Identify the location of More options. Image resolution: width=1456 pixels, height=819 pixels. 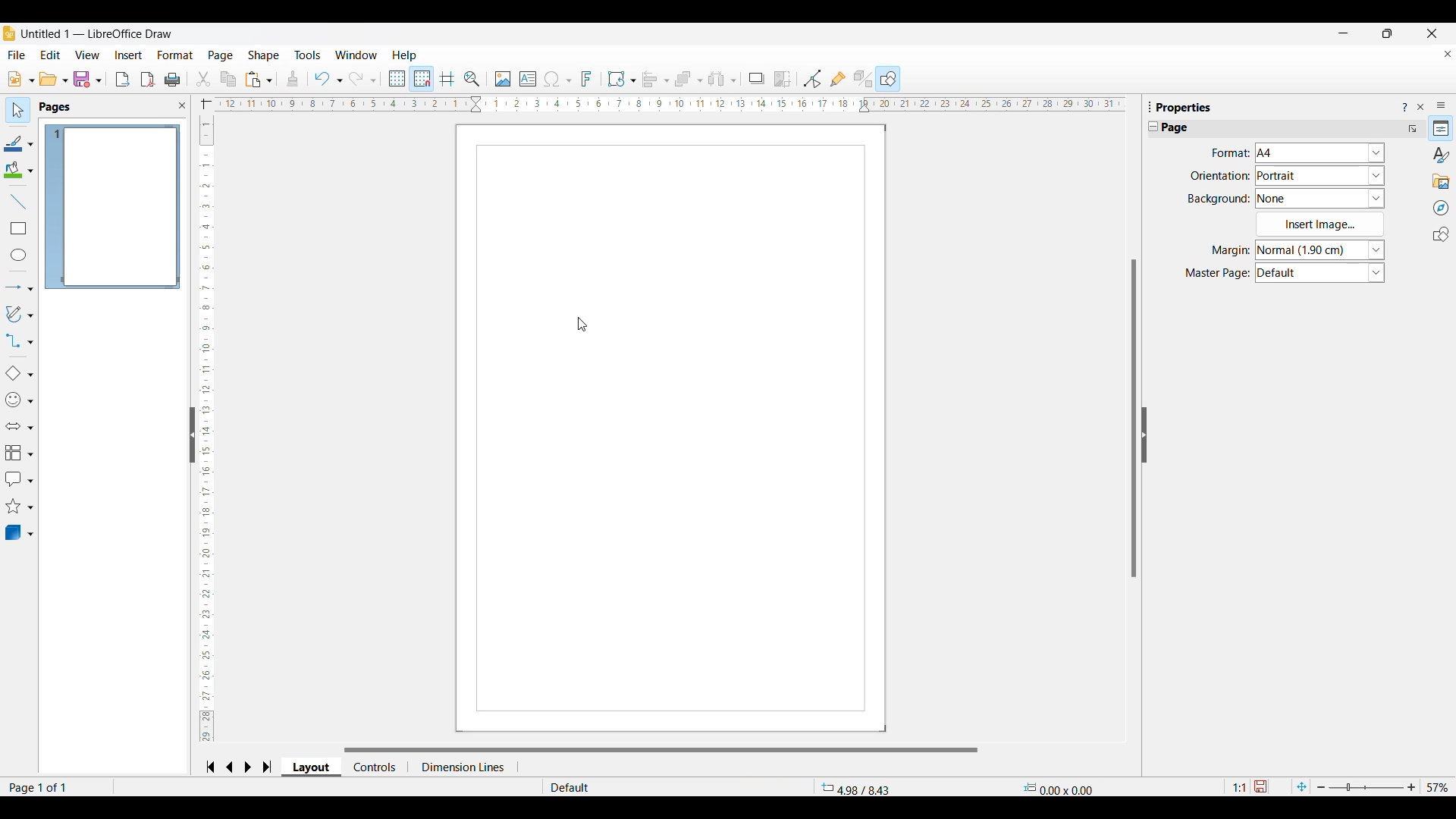
(1413, 129).